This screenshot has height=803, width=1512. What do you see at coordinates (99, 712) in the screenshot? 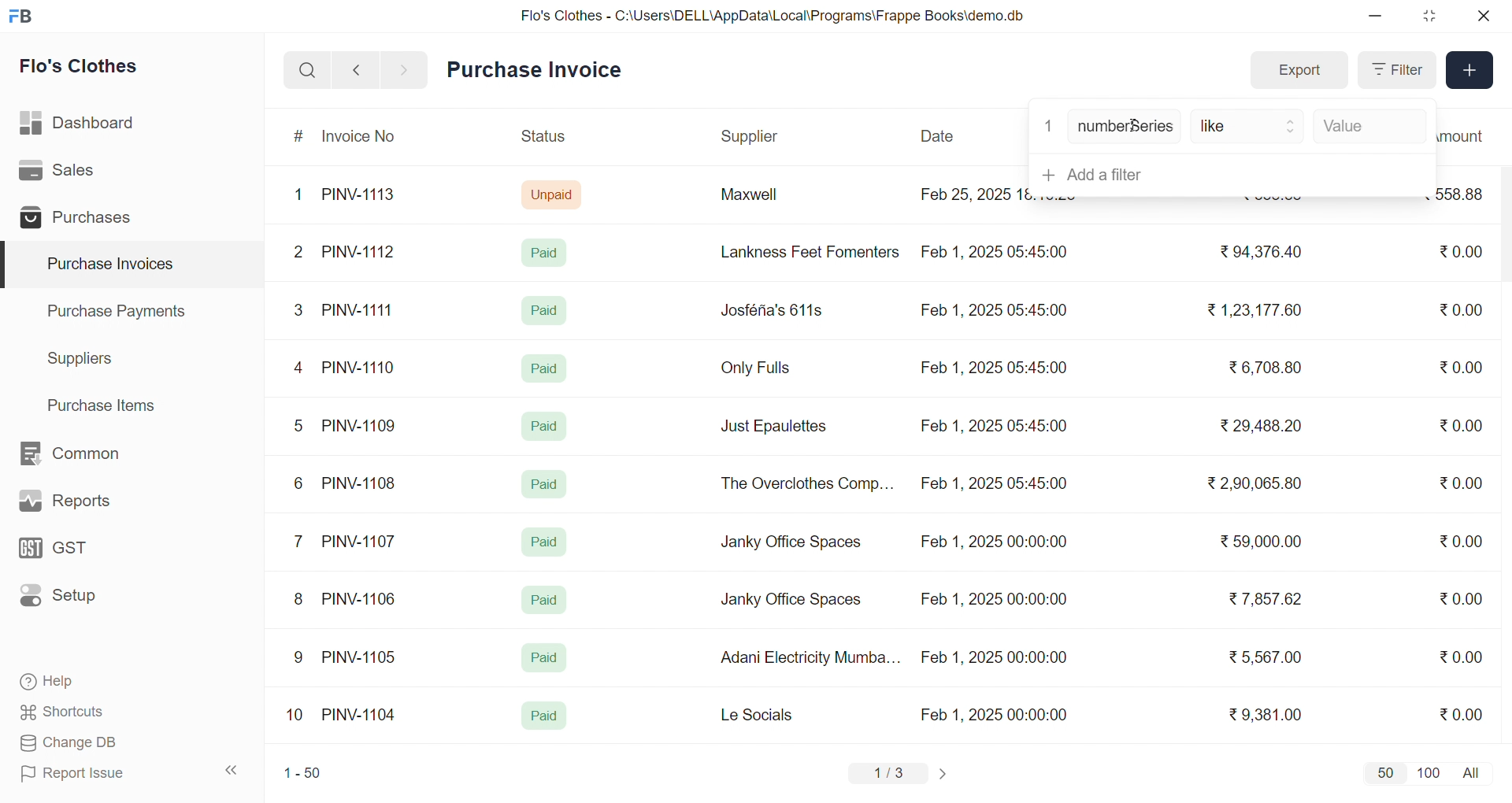
I see `Shortcuts` at bounding box center [99, 712].